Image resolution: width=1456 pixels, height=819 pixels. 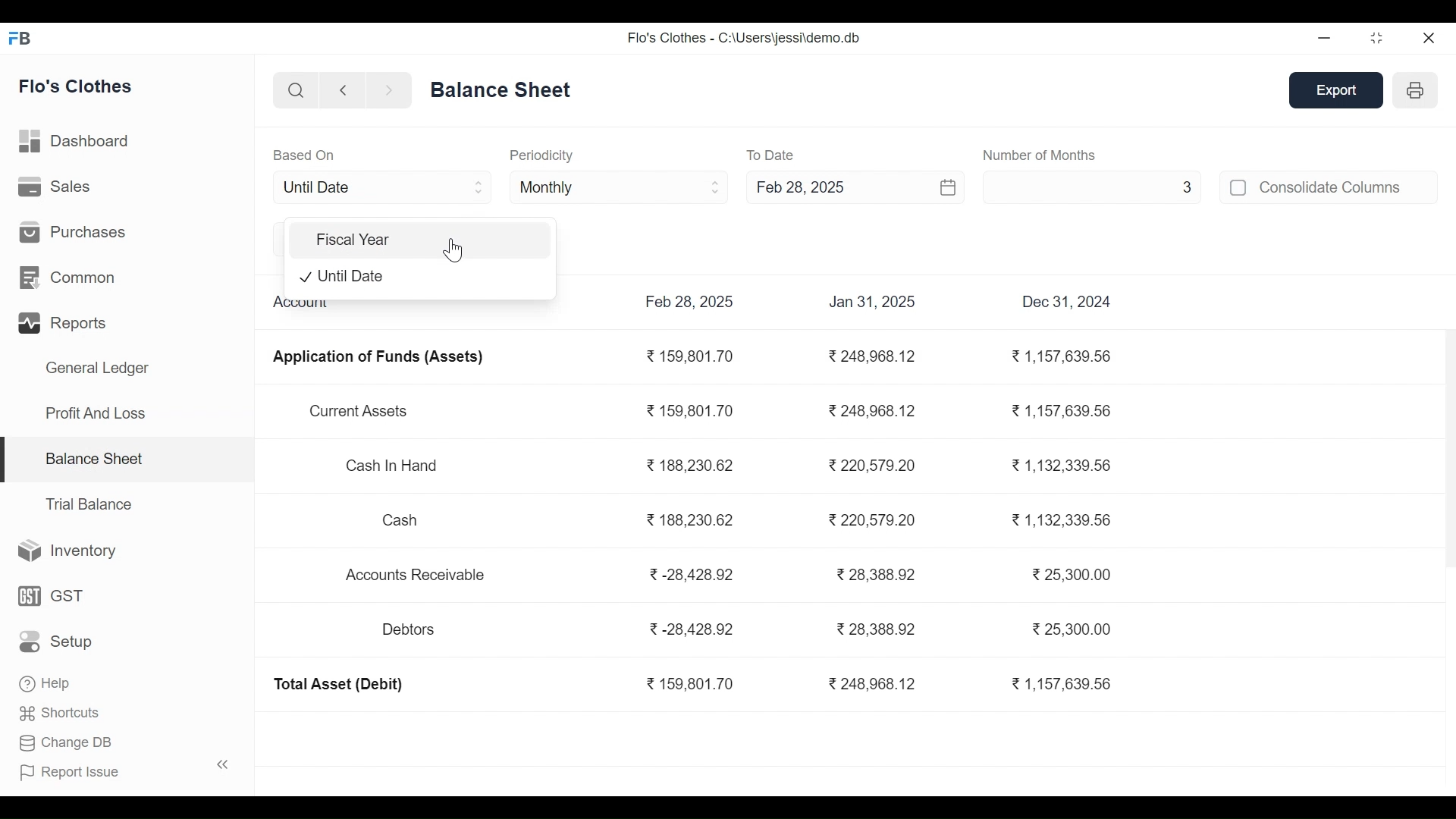 What do you see at coordinates (690, 357) in the screenshot?
I see `159,801.70` at bounding box center [690, 357].